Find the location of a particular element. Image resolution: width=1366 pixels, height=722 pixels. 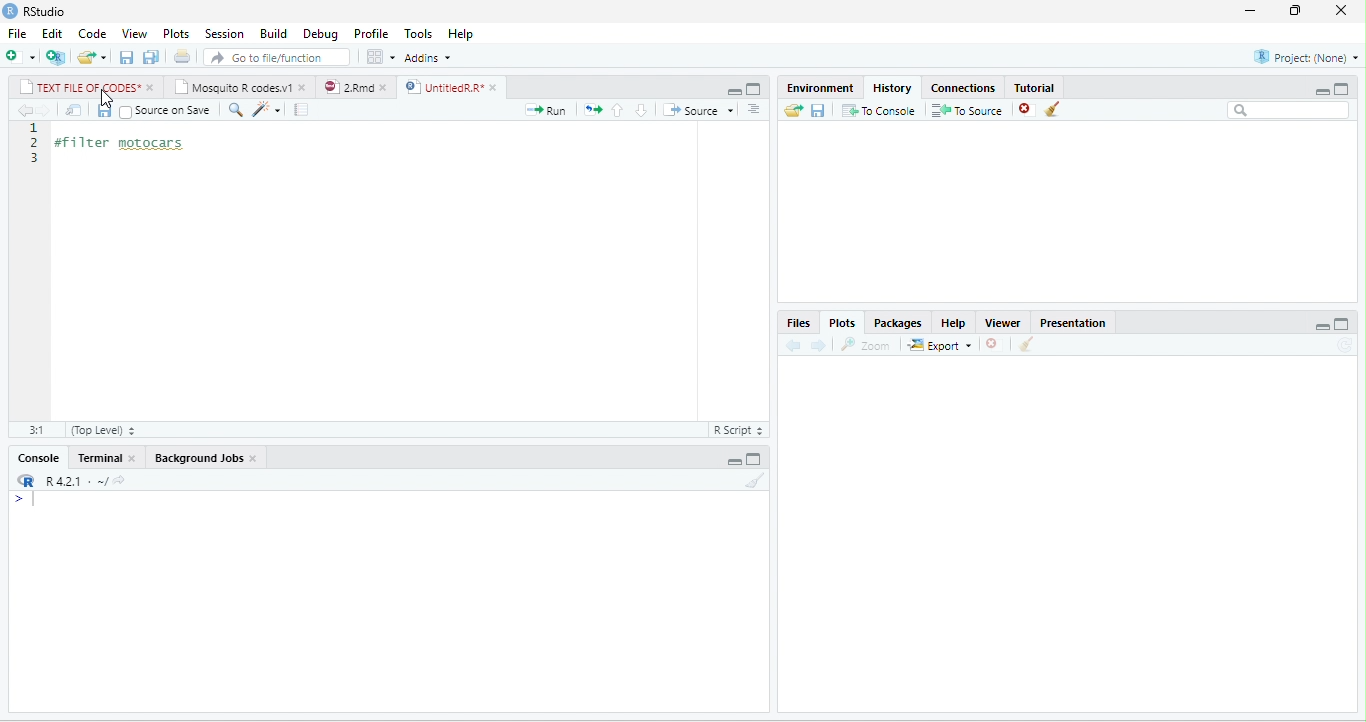

back is located at coordinates (26, 110).